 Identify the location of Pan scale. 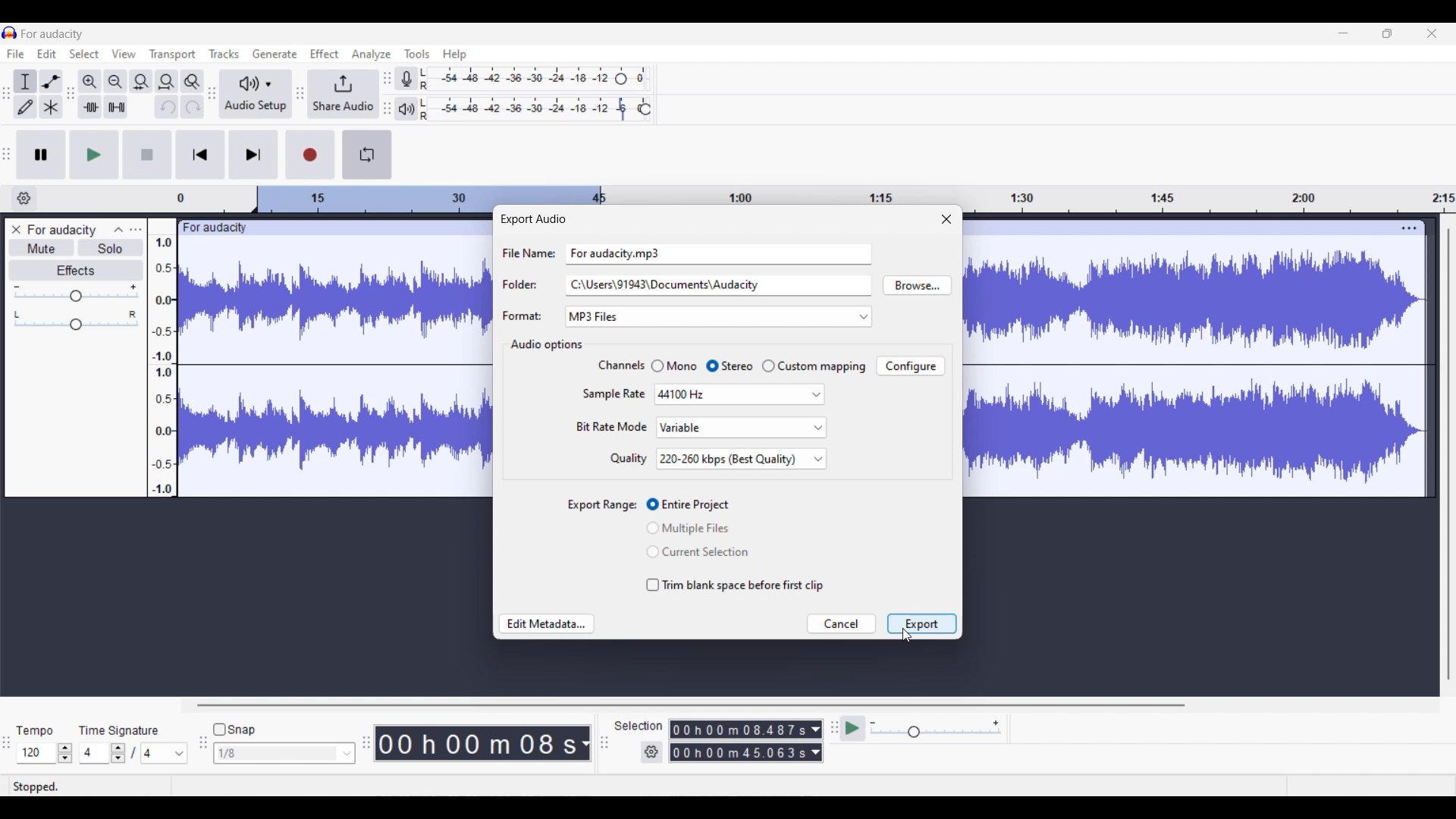
(76, 321).